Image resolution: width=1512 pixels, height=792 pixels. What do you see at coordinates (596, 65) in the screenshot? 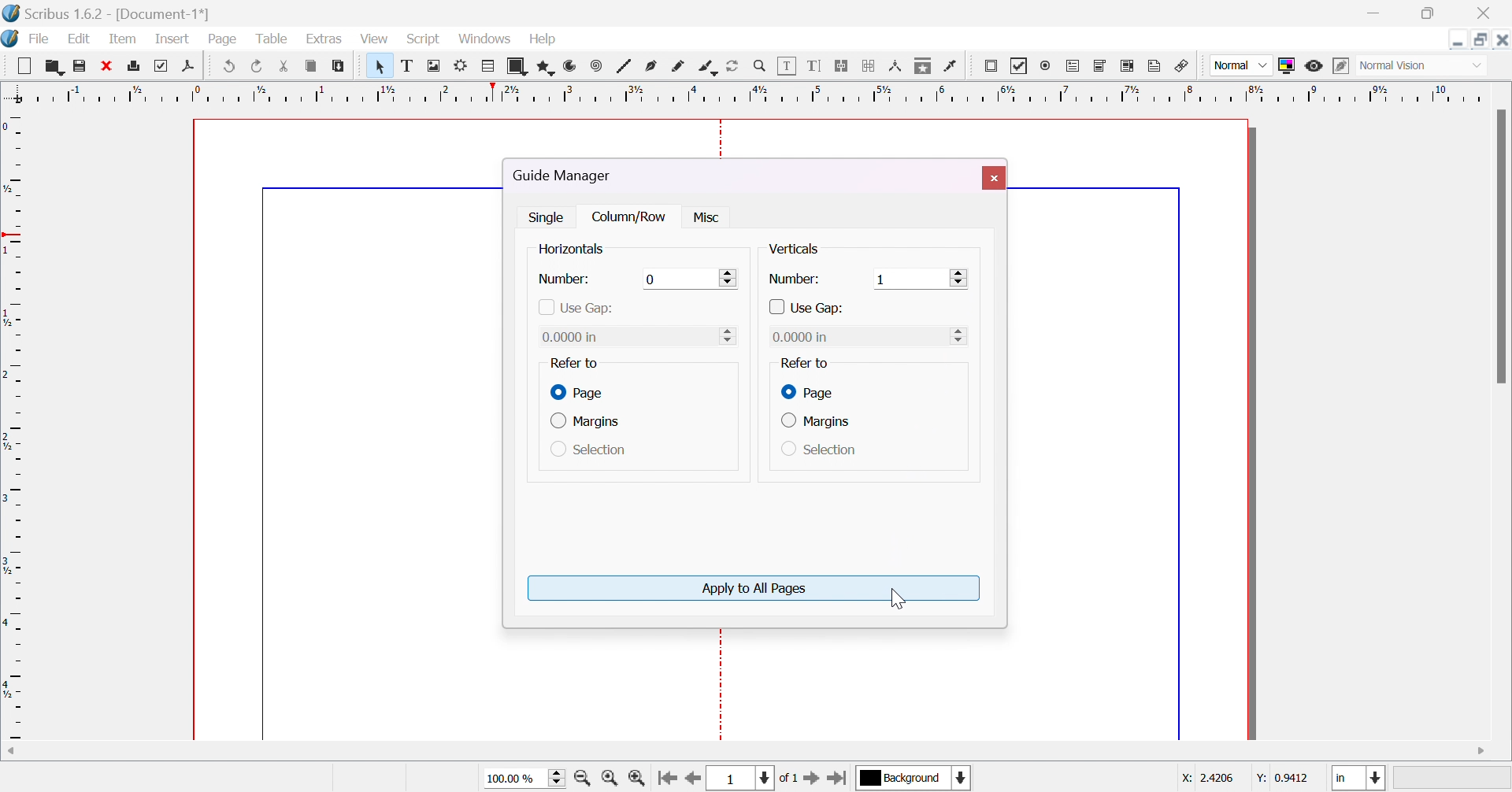
I see `spiral` at bounding box center [596, 65].